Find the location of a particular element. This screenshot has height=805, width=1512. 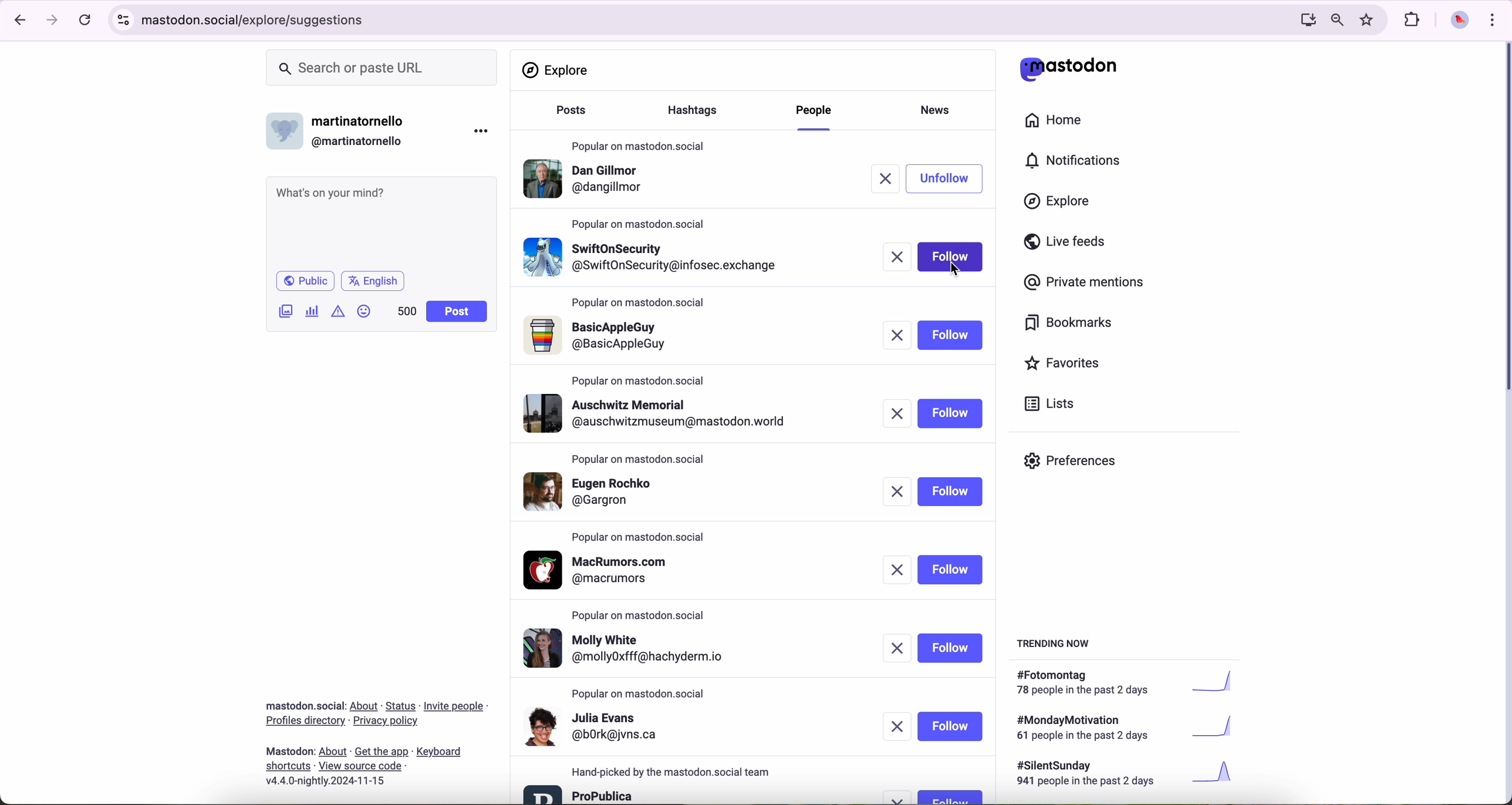

follow button is located at coordinates (949, 335).